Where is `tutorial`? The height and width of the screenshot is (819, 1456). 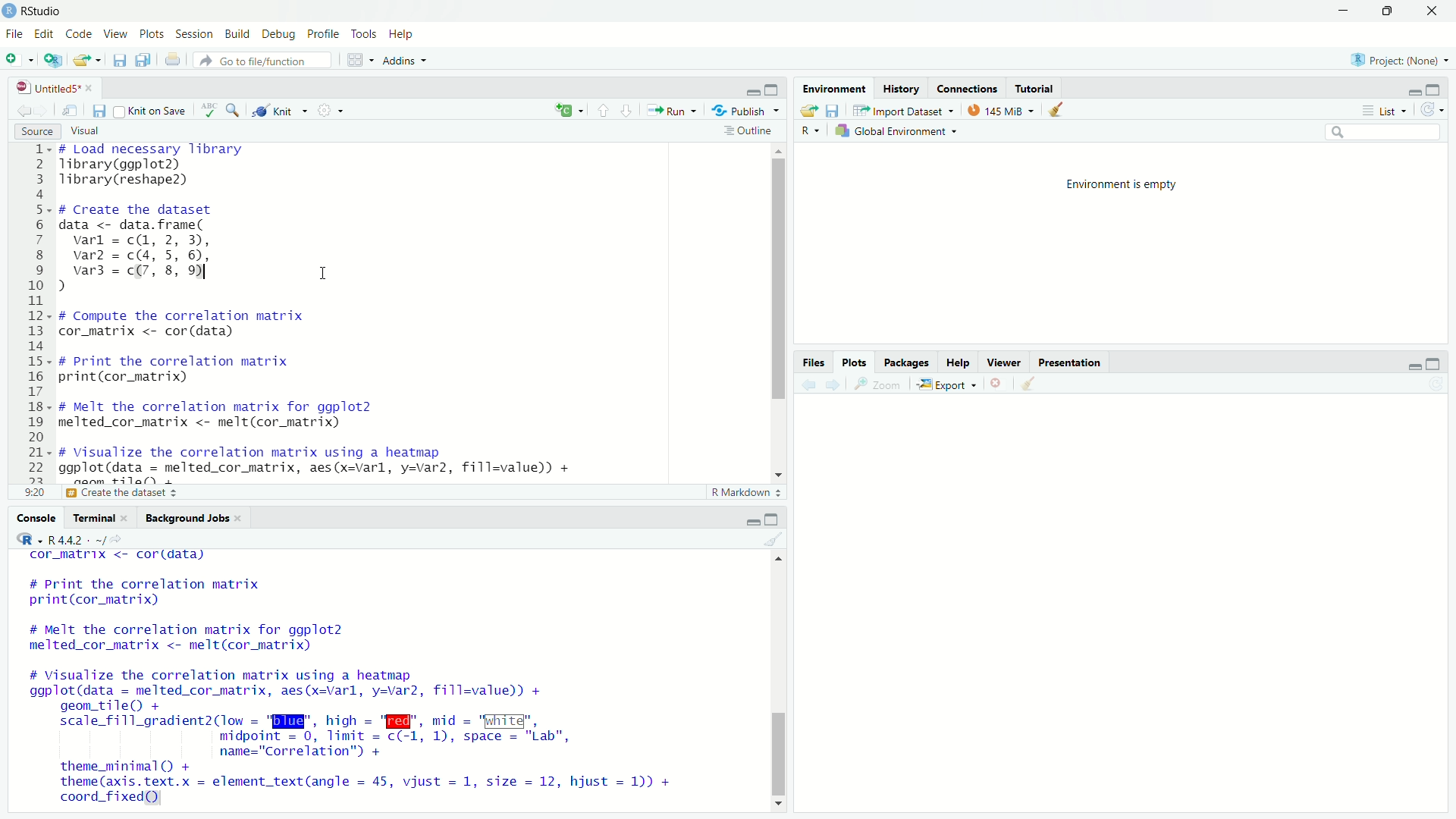
tutorial is located at coordinates (1036, 87).